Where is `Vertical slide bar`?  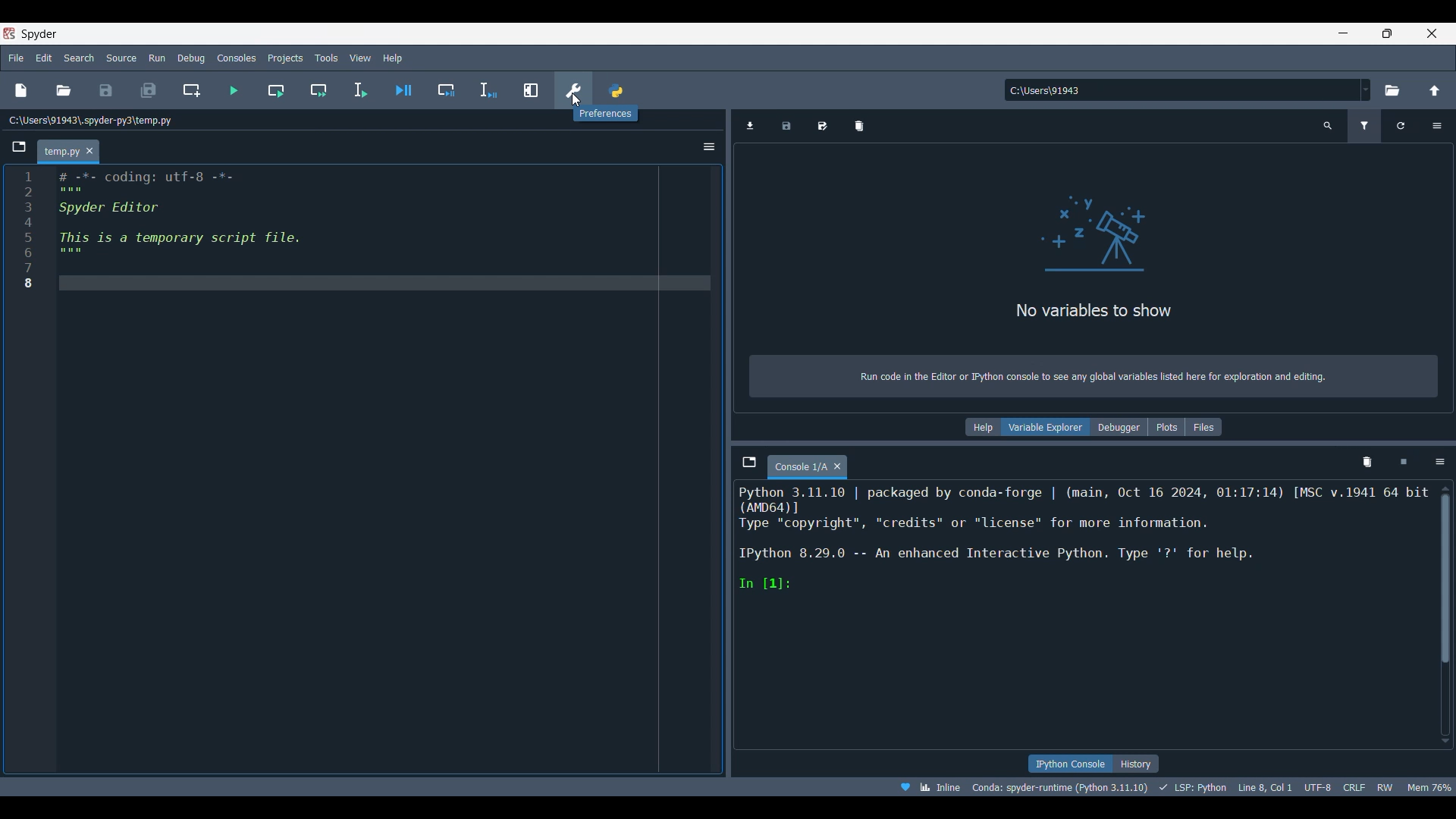 Vertical slide bar is located at coordinates (1445, 614).